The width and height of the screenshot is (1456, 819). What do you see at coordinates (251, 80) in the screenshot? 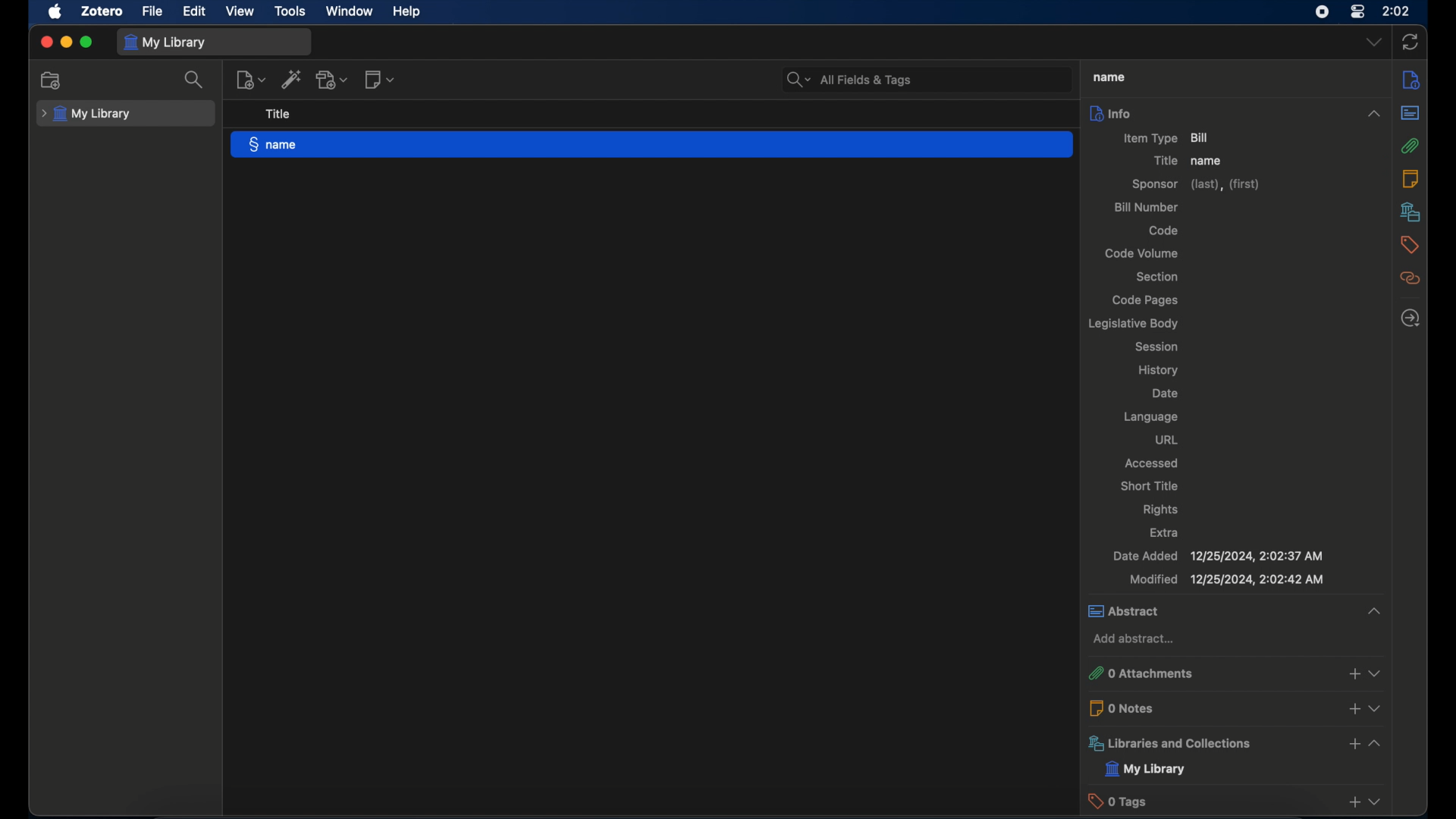
I see `new notes` at bounding box center [251, 80].